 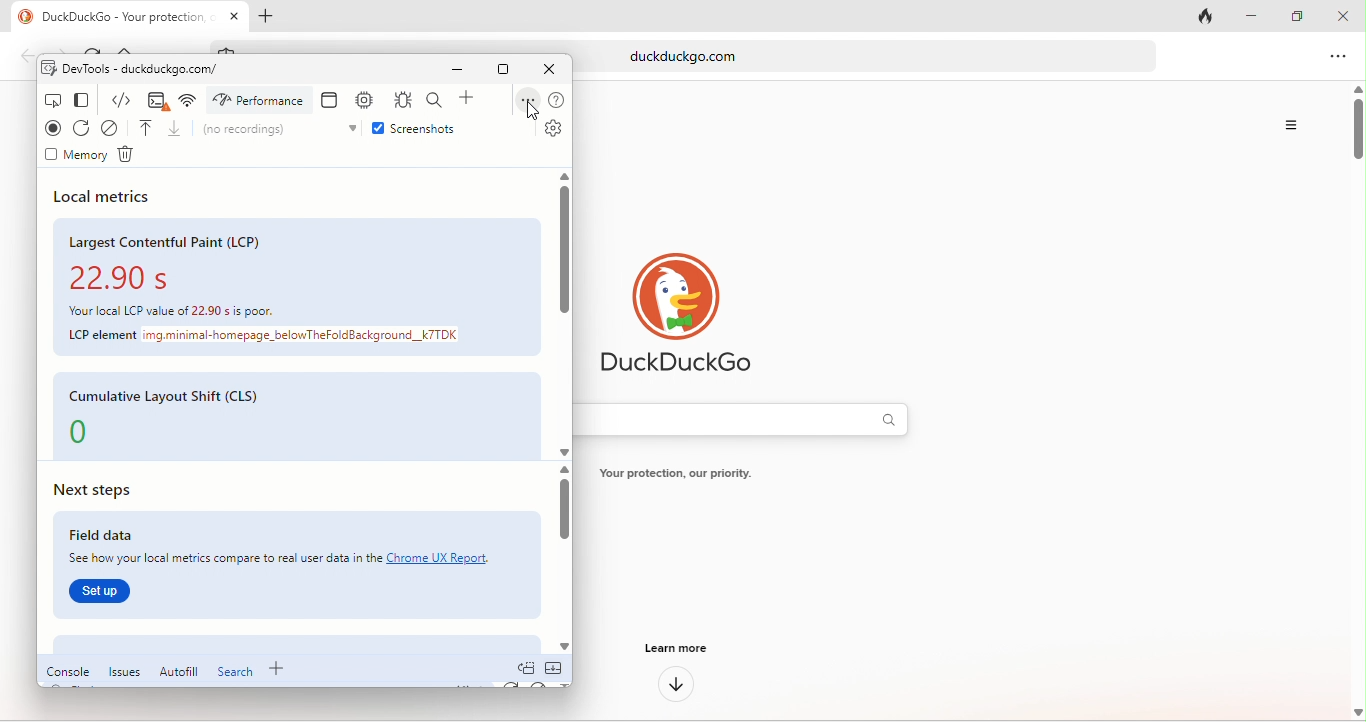 What do you see at coordinates (145, 129) in the screenshot?
I see `load` at bounding box center [145, 129].